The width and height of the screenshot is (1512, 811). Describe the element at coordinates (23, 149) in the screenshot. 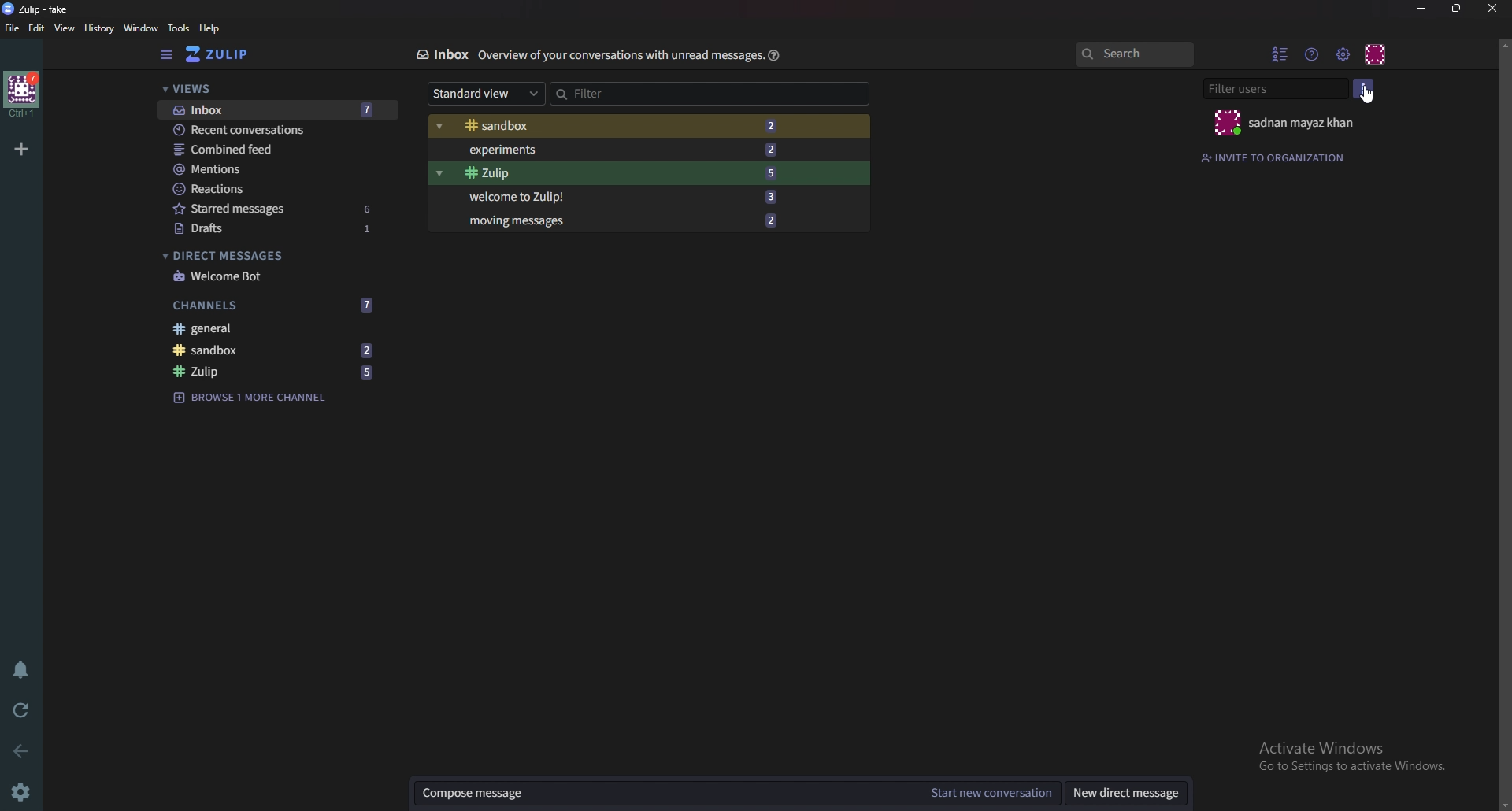

I see `Add organization` at that location.